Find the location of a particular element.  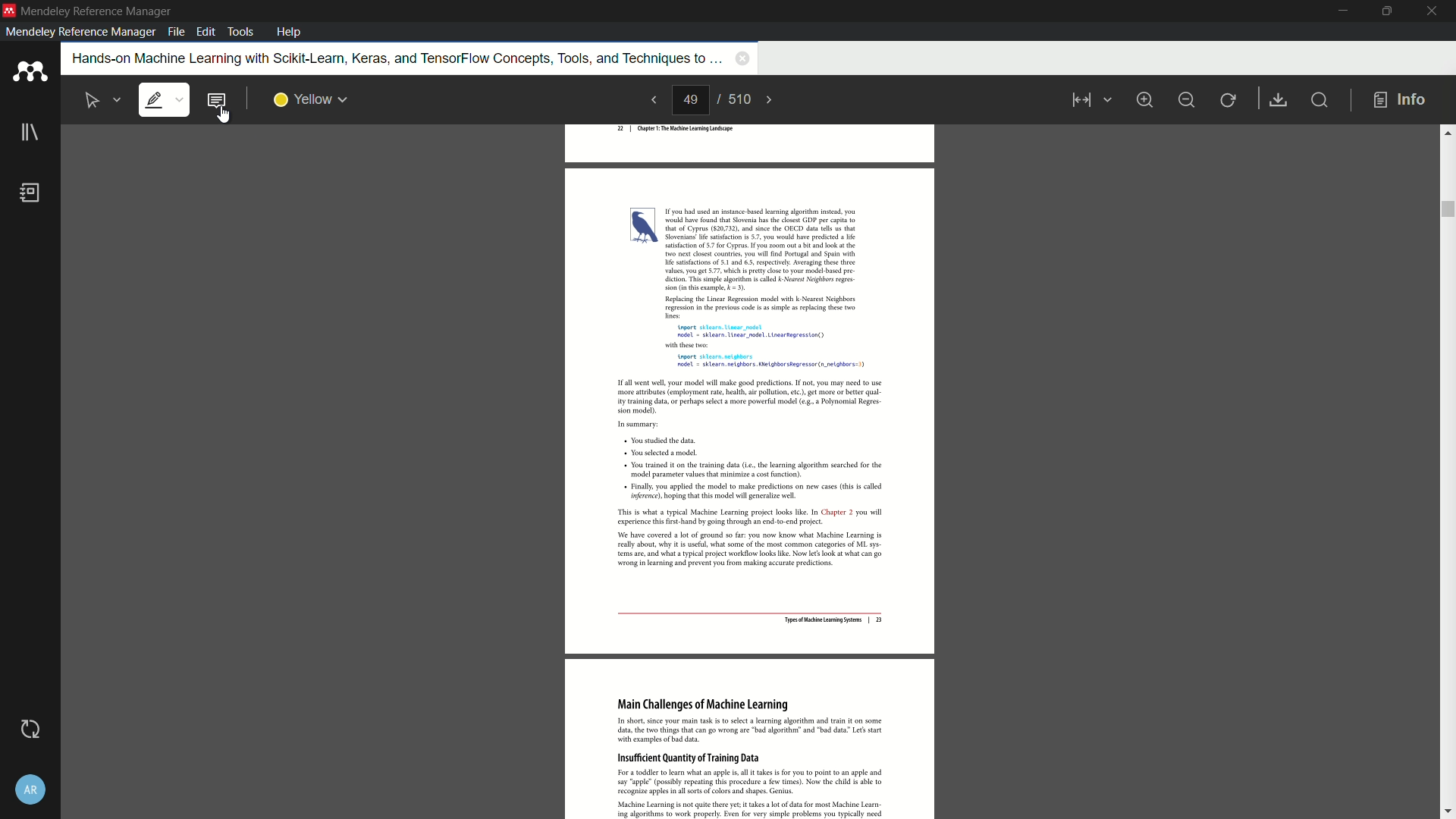

app icon is located at coordinates (9, 11).